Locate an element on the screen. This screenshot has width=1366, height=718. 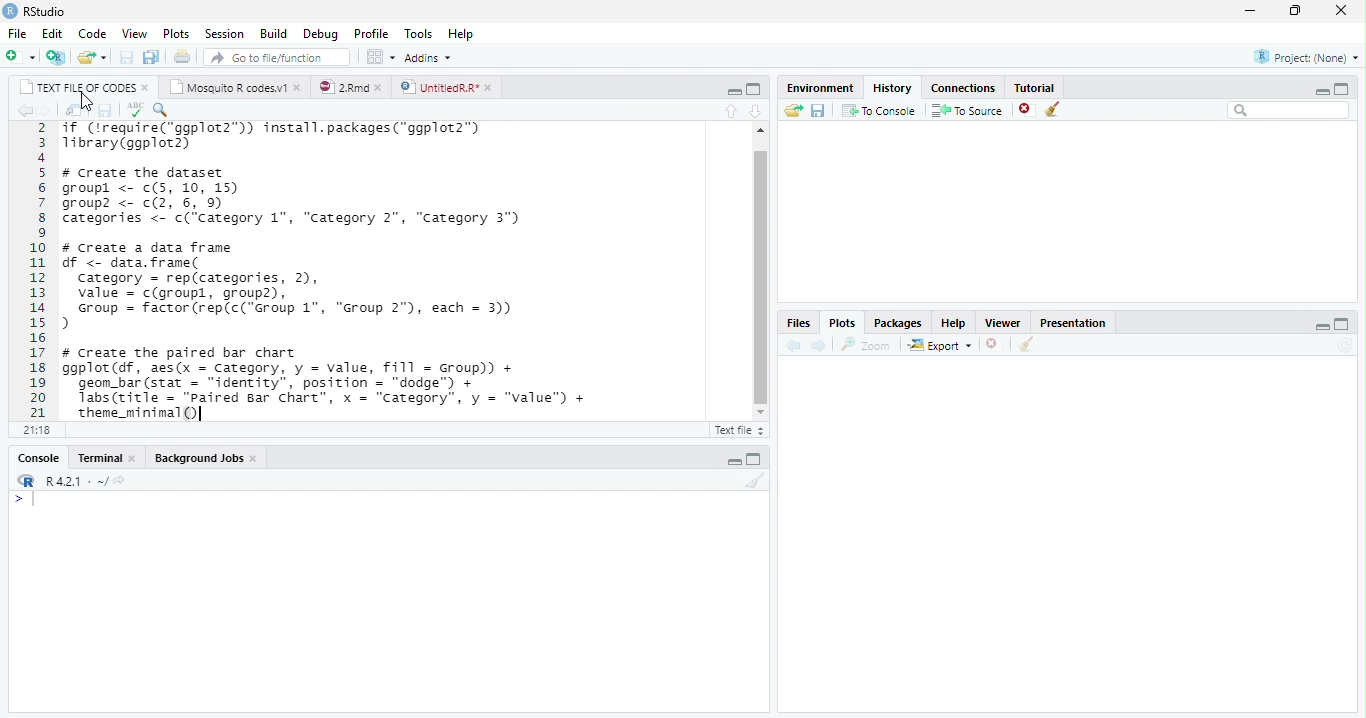
2.rmd is located at coordinates (344, 87).